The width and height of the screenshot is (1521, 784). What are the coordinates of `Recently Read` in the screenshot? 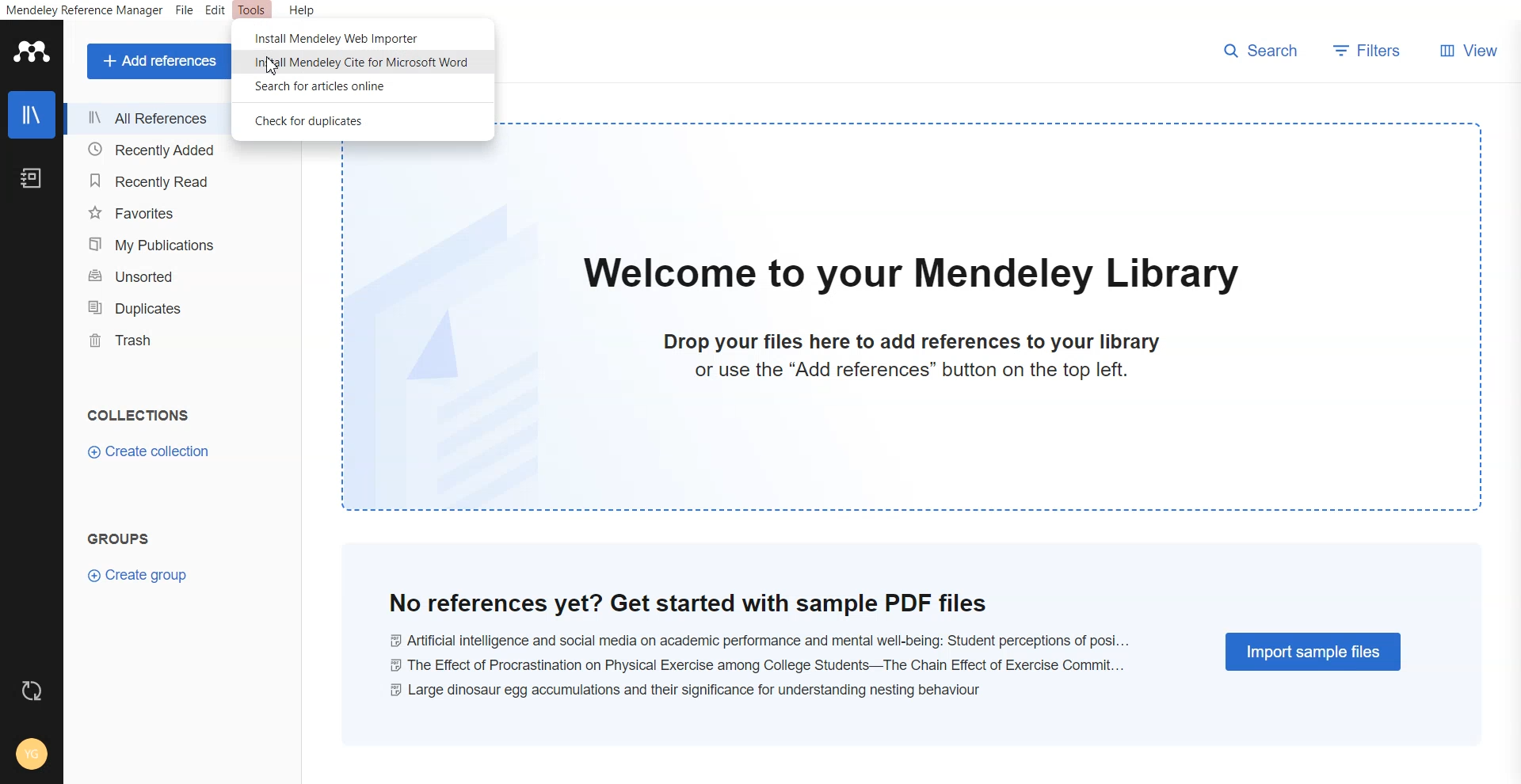 It's located at (181, 180).